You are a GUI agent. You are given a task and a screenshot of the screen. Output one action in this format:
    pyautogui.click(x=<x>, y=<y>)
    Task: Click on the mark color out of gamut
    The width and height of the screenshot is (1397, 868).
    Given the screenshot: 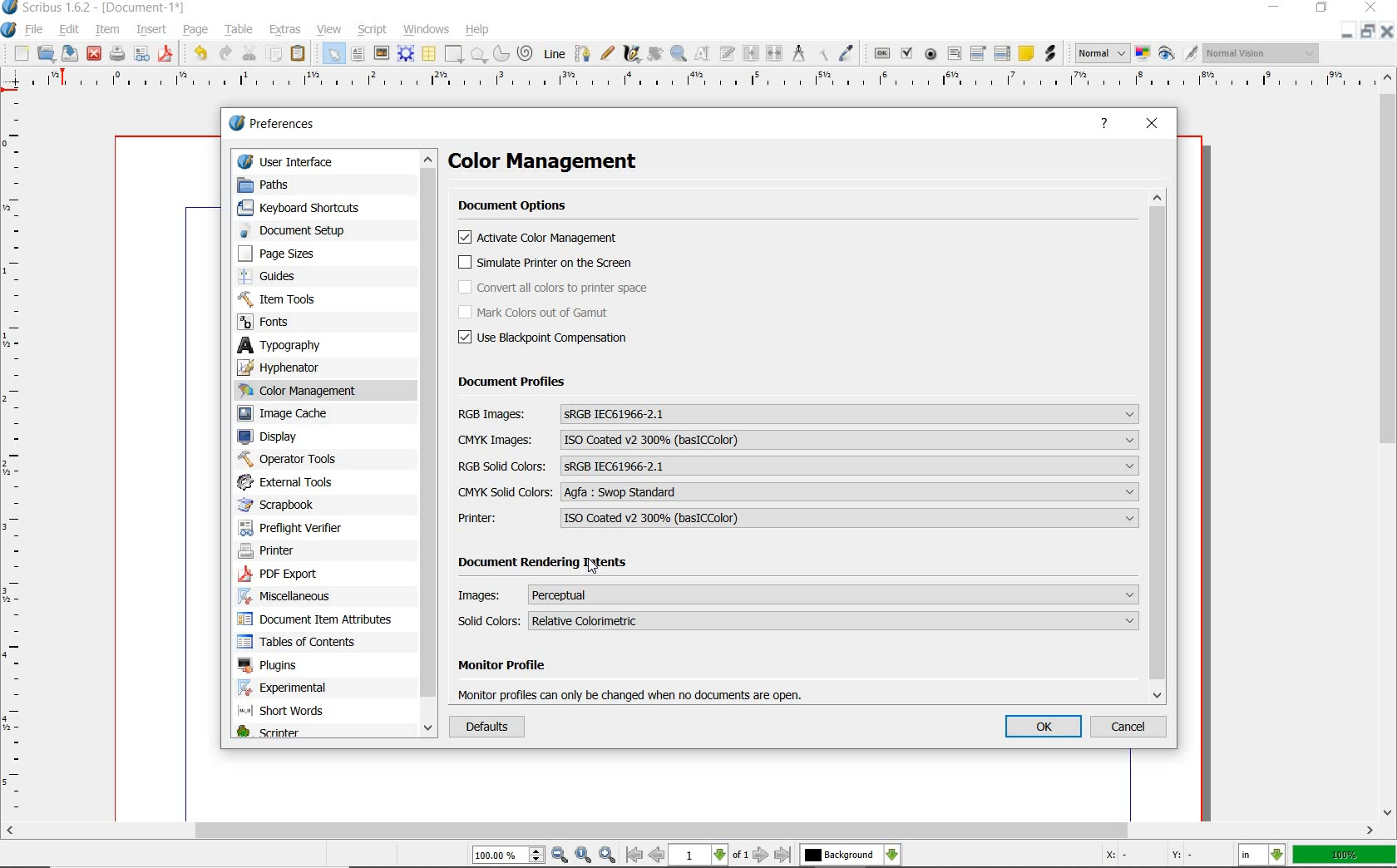 What is the action you would take?
    pyautogui.click(x=553, y=313)
    